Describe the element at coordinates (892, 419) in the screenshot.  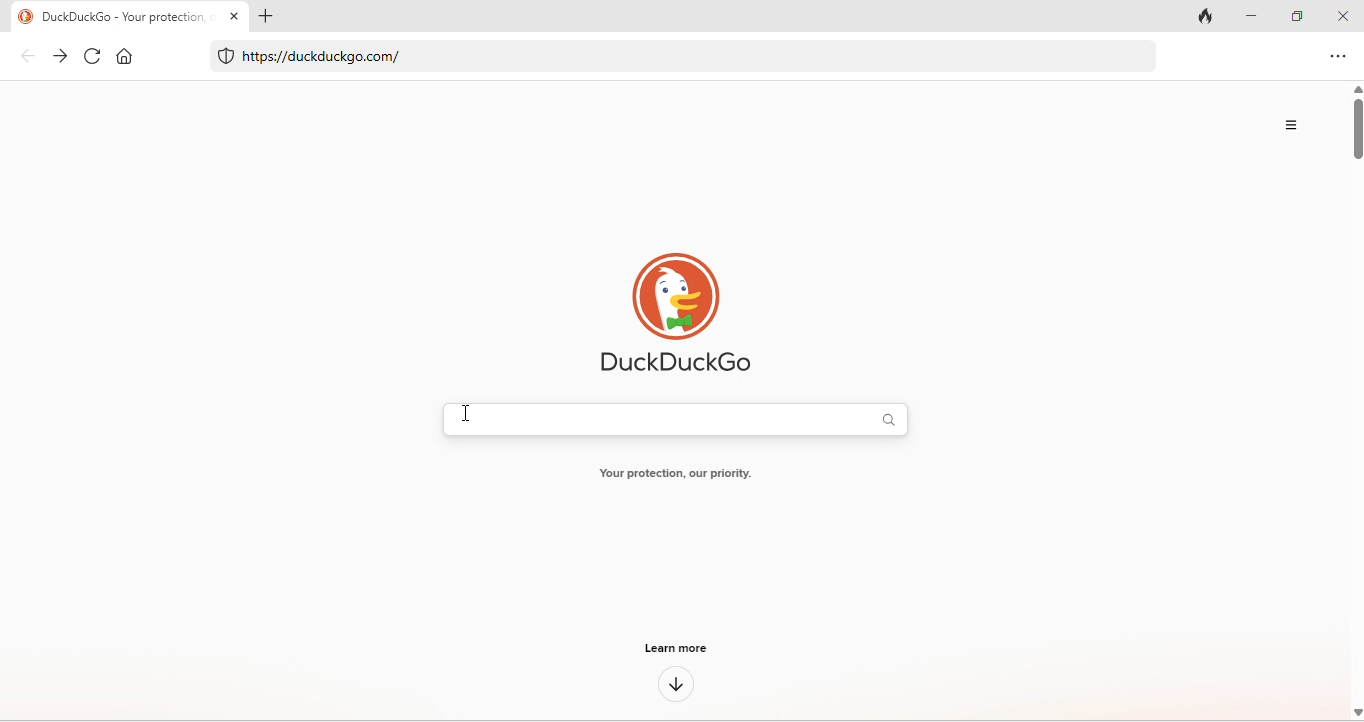
I see `search ` at that location.